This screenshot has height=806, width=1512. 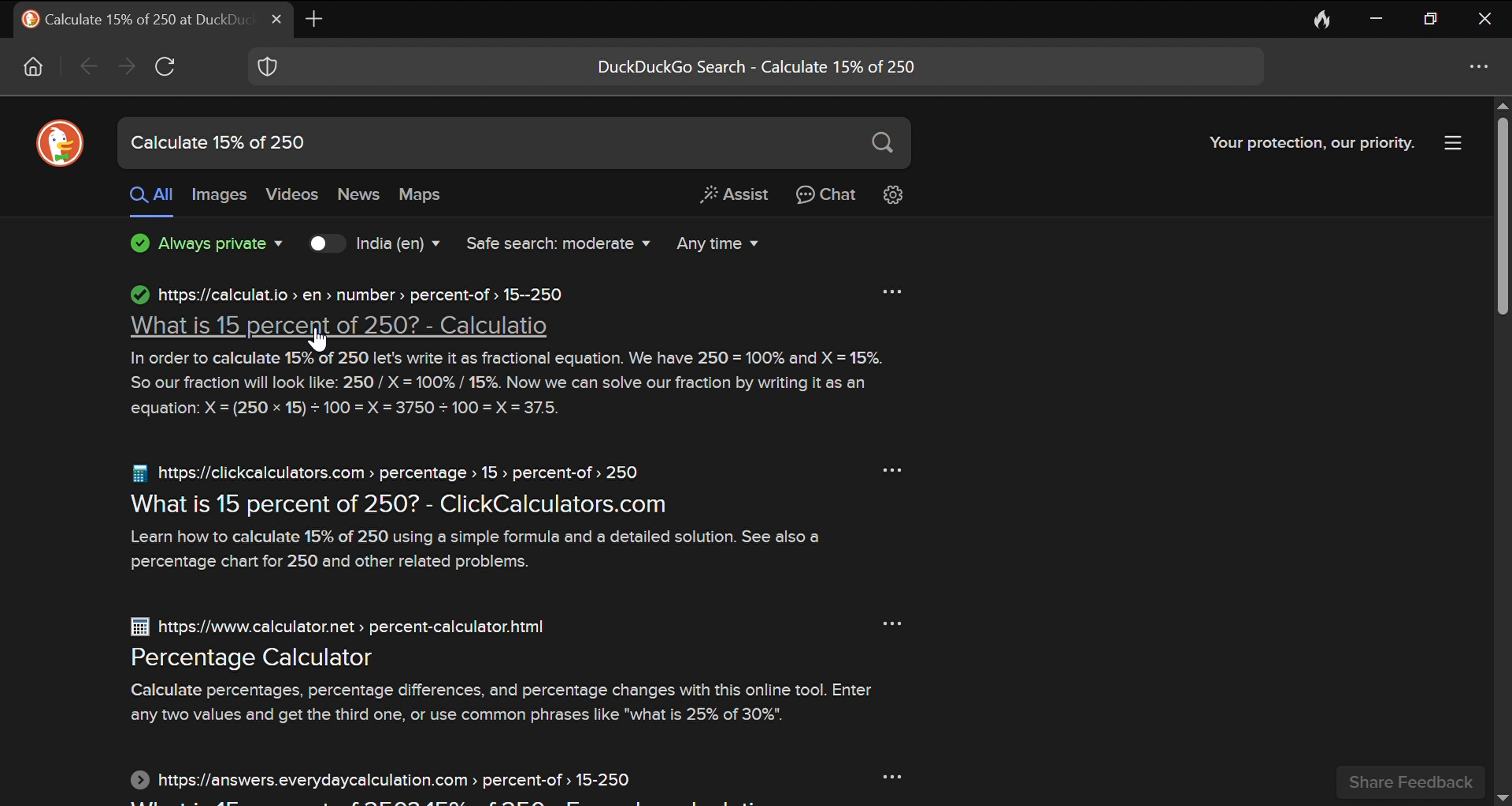 What do you see at coordinates (830, 196) in the screenshot?
I see `Chat` at bounding box center [830, 196].